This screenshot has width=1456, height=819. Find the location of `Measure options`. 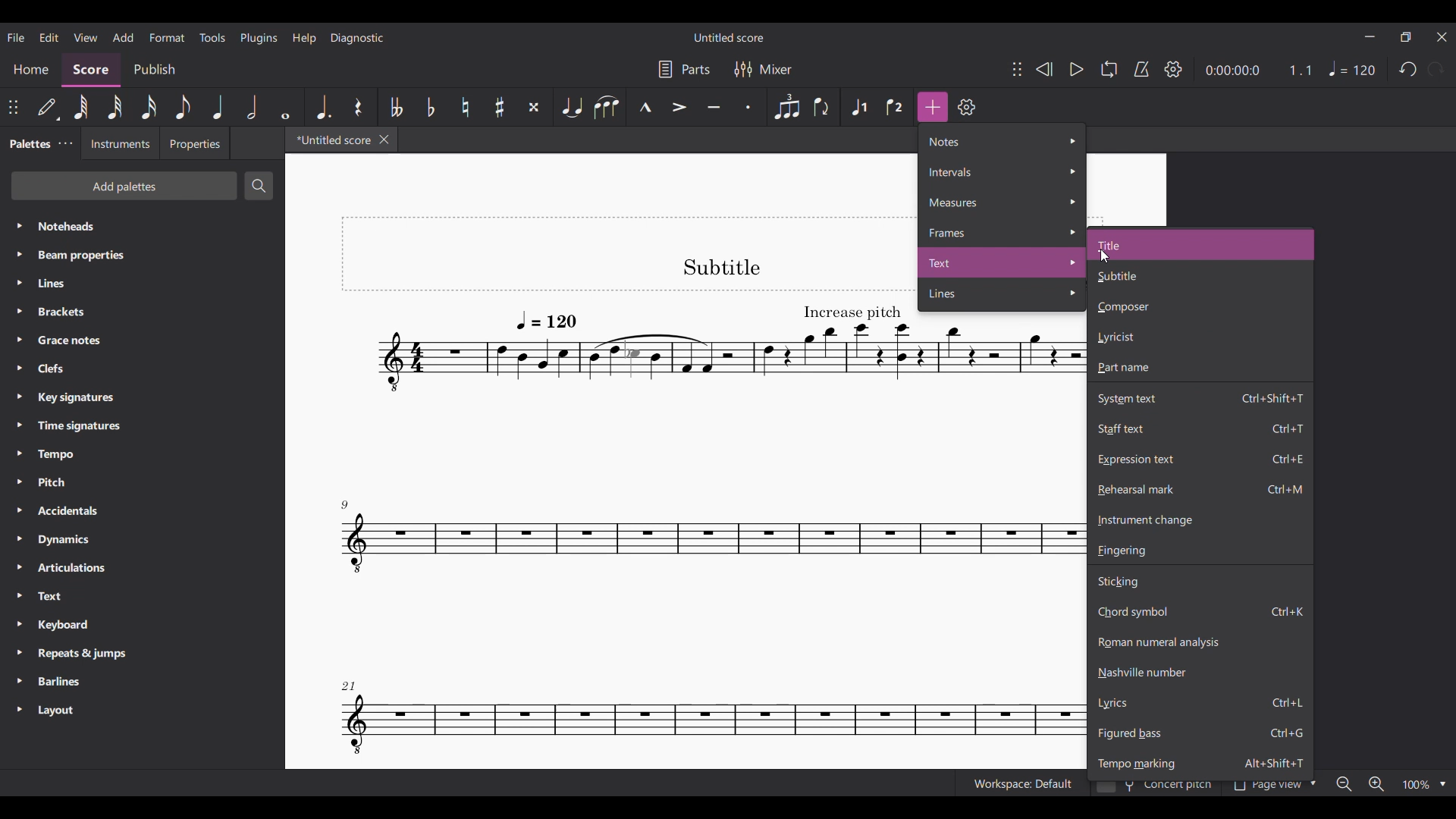

Measure options is located at coordinates (1002, 202).